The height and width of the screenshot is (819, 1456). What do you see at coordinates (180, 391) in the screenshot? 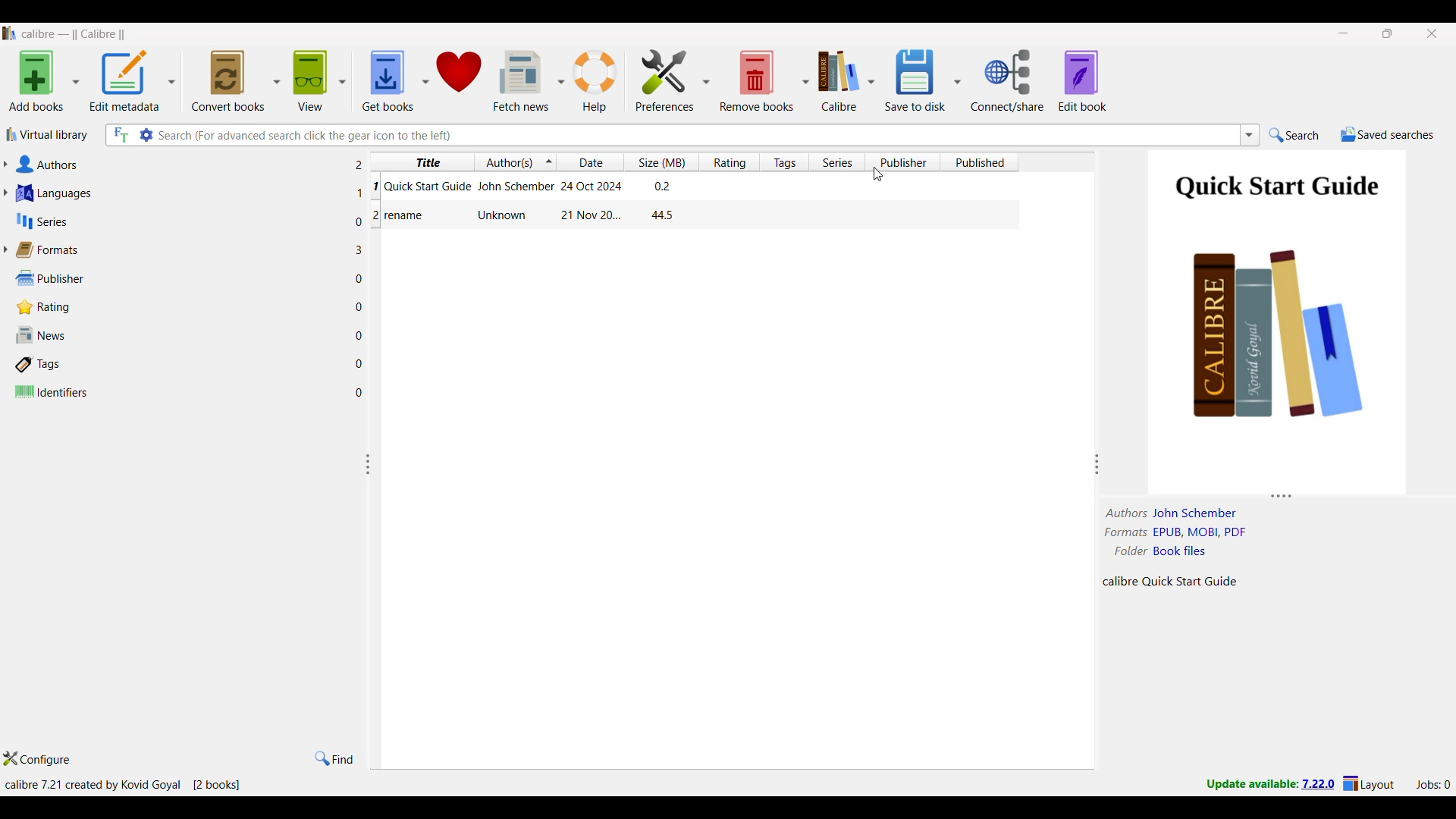
I see `Identifiers` at bounding box center [180, 391].